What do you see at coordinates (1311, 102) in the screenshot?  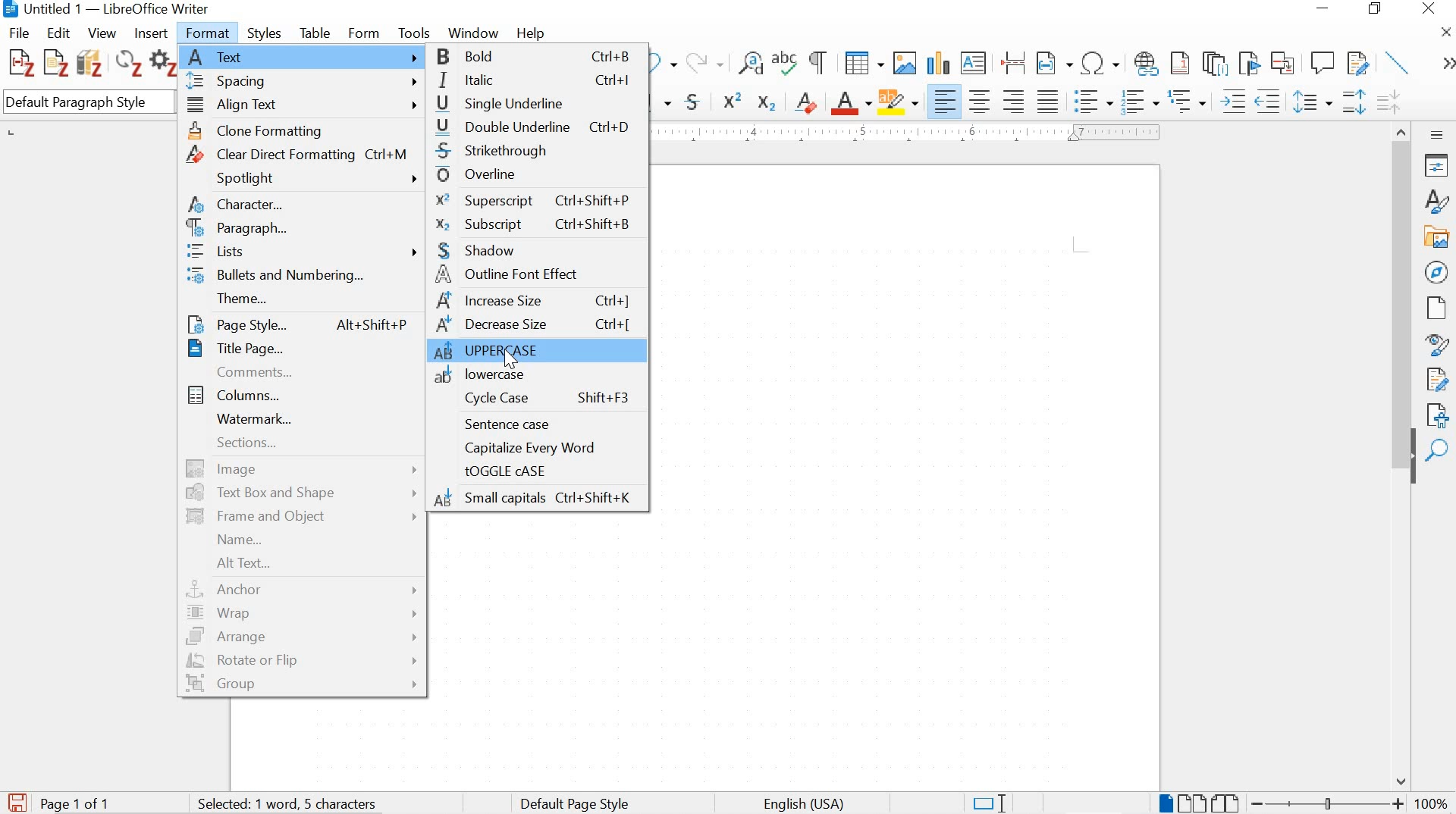 I see `set line spacing` at bounding box center [1311, 102].